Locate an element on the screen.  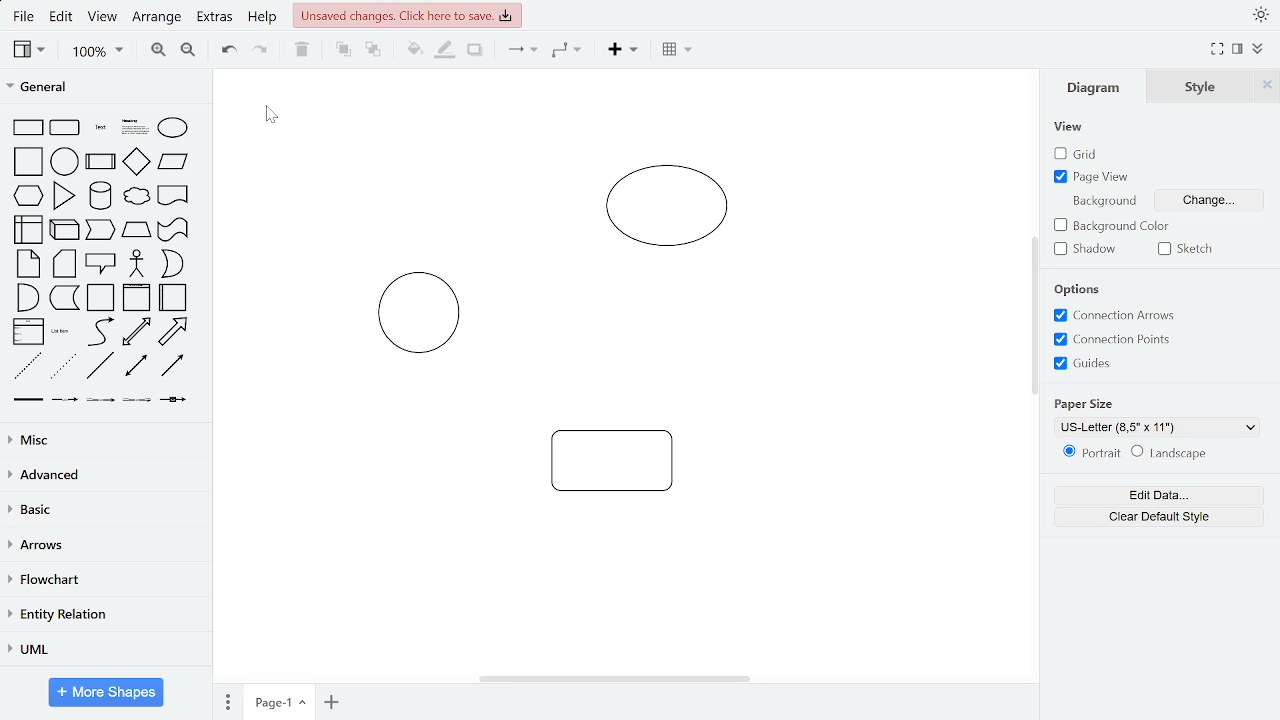
connector is located at coordinates (520, 53).